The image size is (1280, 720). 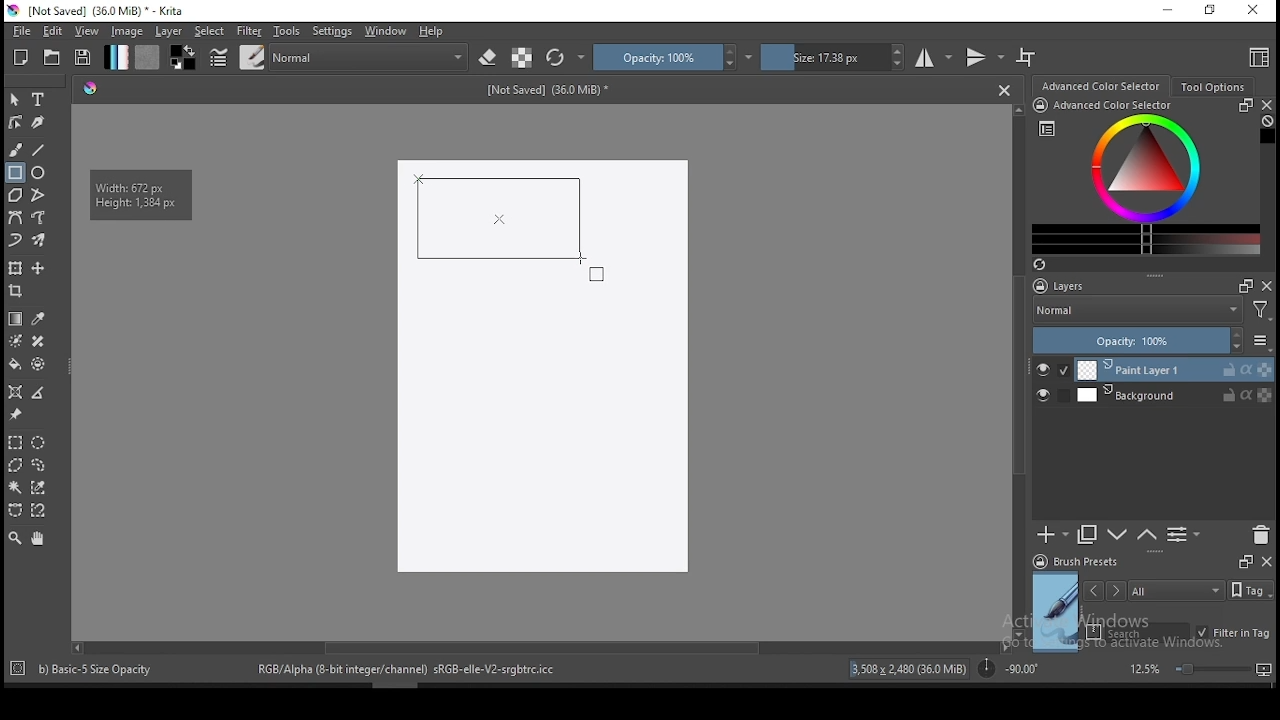 I want to click on horizontal mirror tool, so click(x=934, y=57).